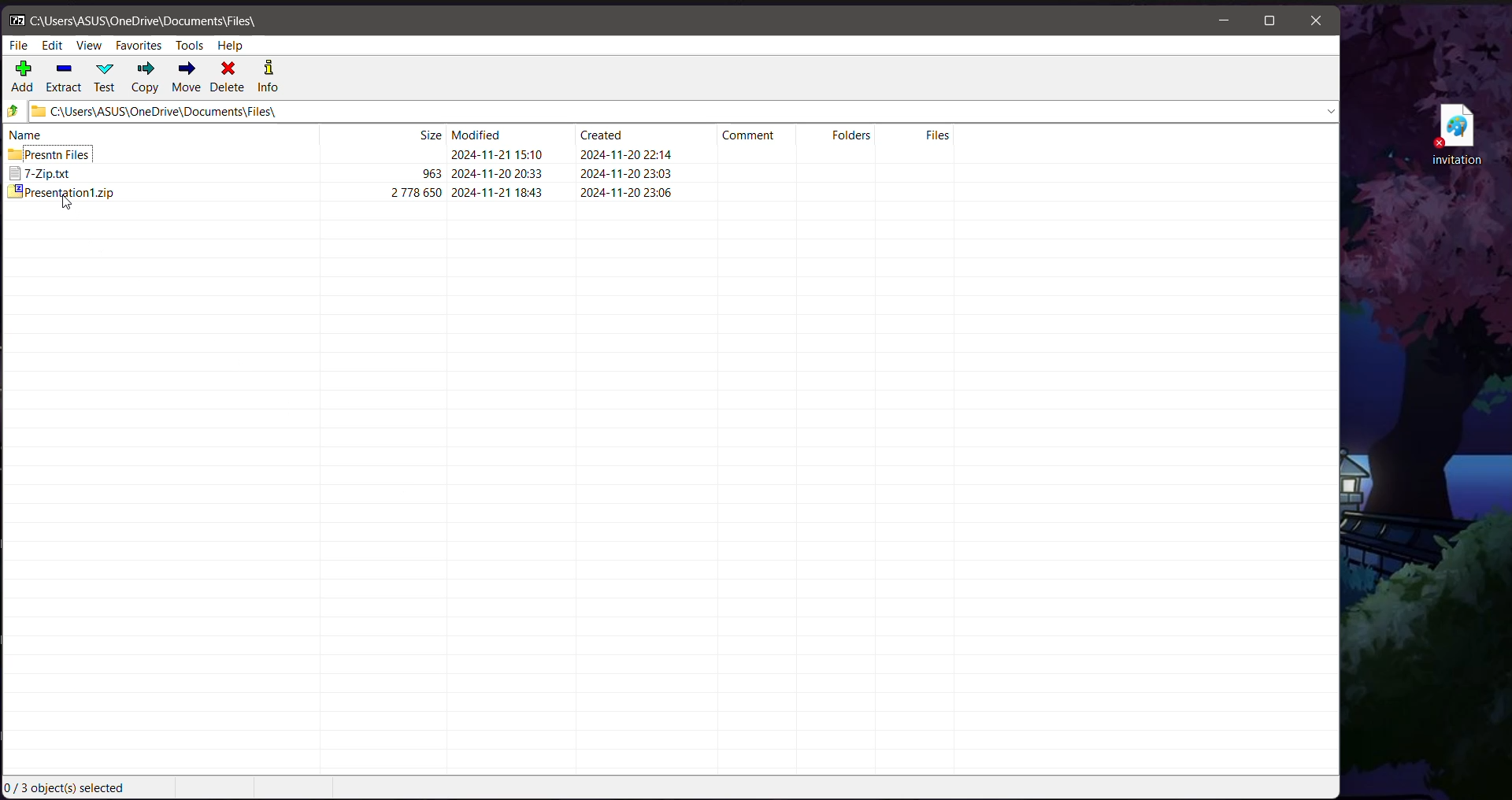  Describe the element at coordinates (145, 78) in the screenshot. I see `Copy` at that location.